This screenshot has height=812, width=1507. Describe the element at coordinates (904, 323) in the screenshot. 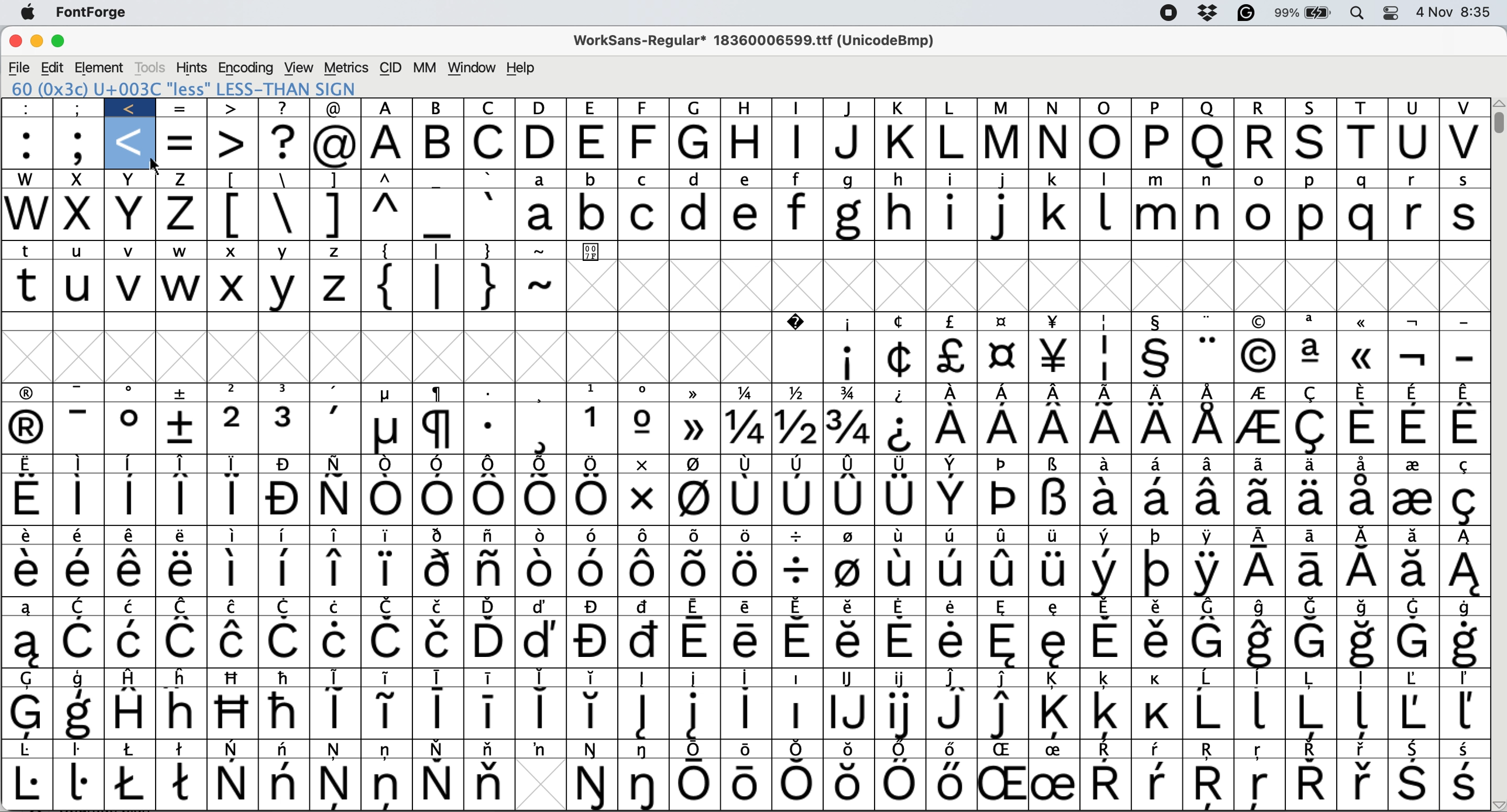

I see `Symbol` at that location.